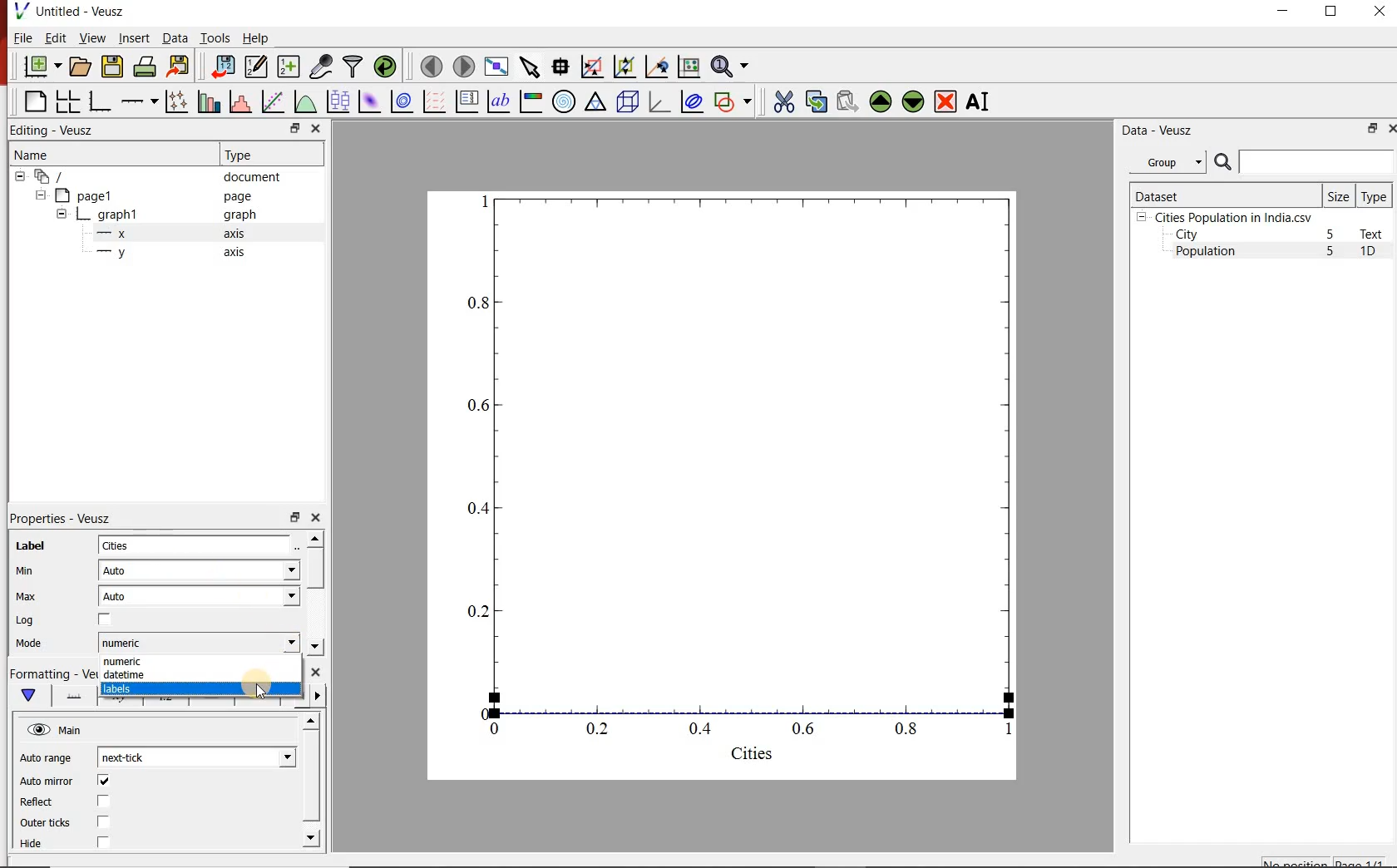 This screenshot has height=868, width=1397. What do you see at coordinates (590, 66) in the screenshot?
I see `click or draw a rectangle to zoom graph indexes` at bounding box center [590, 66].